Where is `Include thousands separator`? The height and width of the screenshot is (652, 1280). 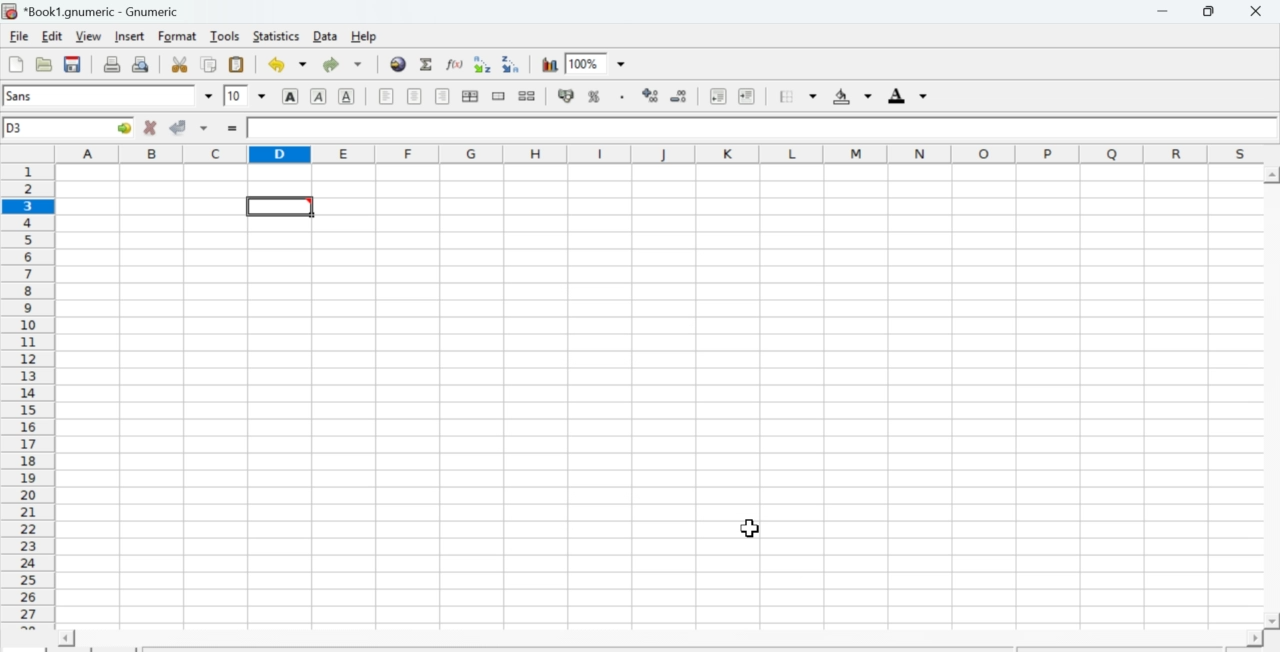 Include thousands separator is located at coordinates (622, 98).